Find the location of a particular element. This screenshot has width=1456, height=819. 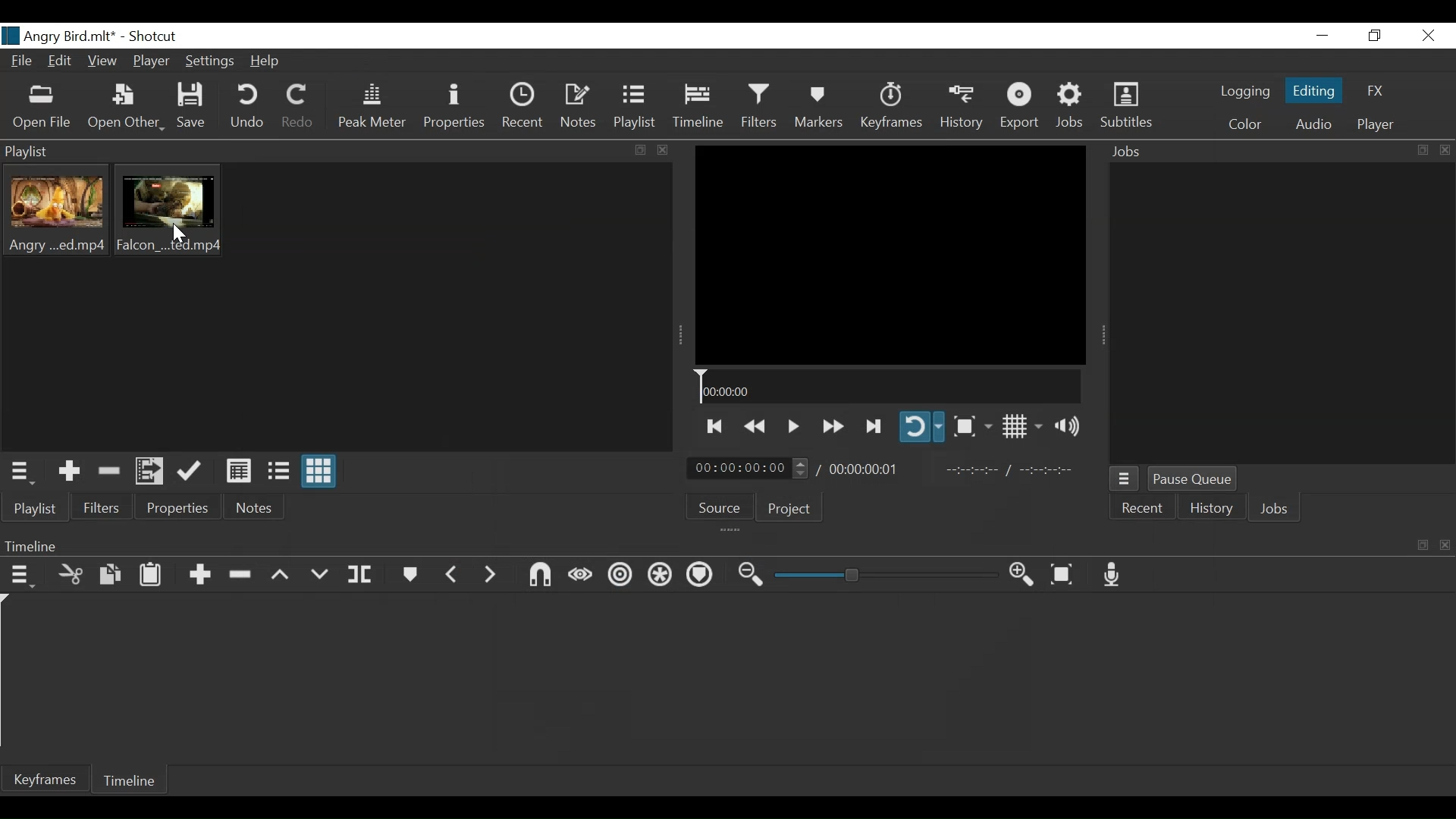

close is located at coordinates (664, 150).